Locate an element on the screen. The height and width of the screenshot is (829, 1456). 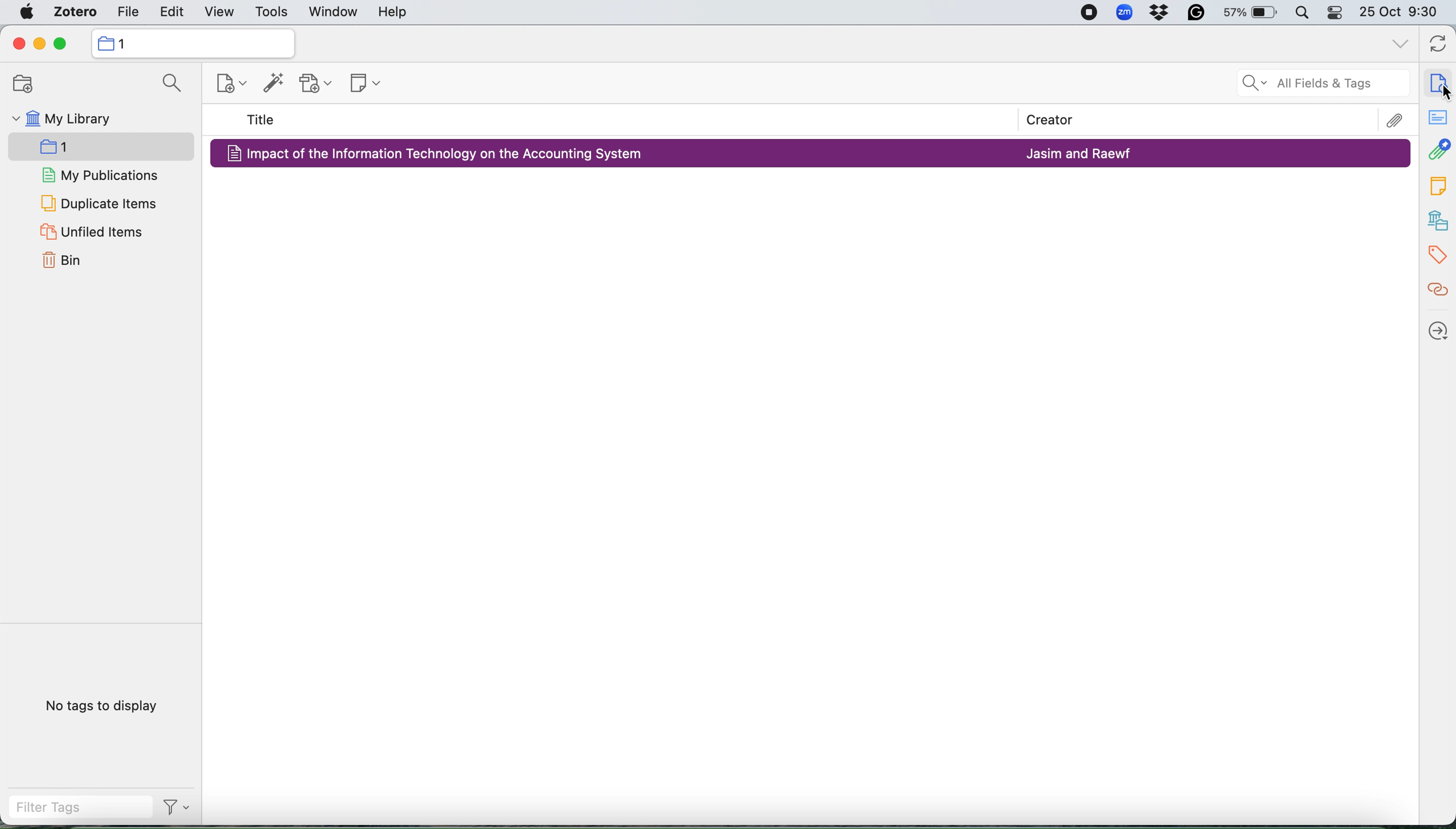
sync with zotero.org is located at coordinates (1439, 42).